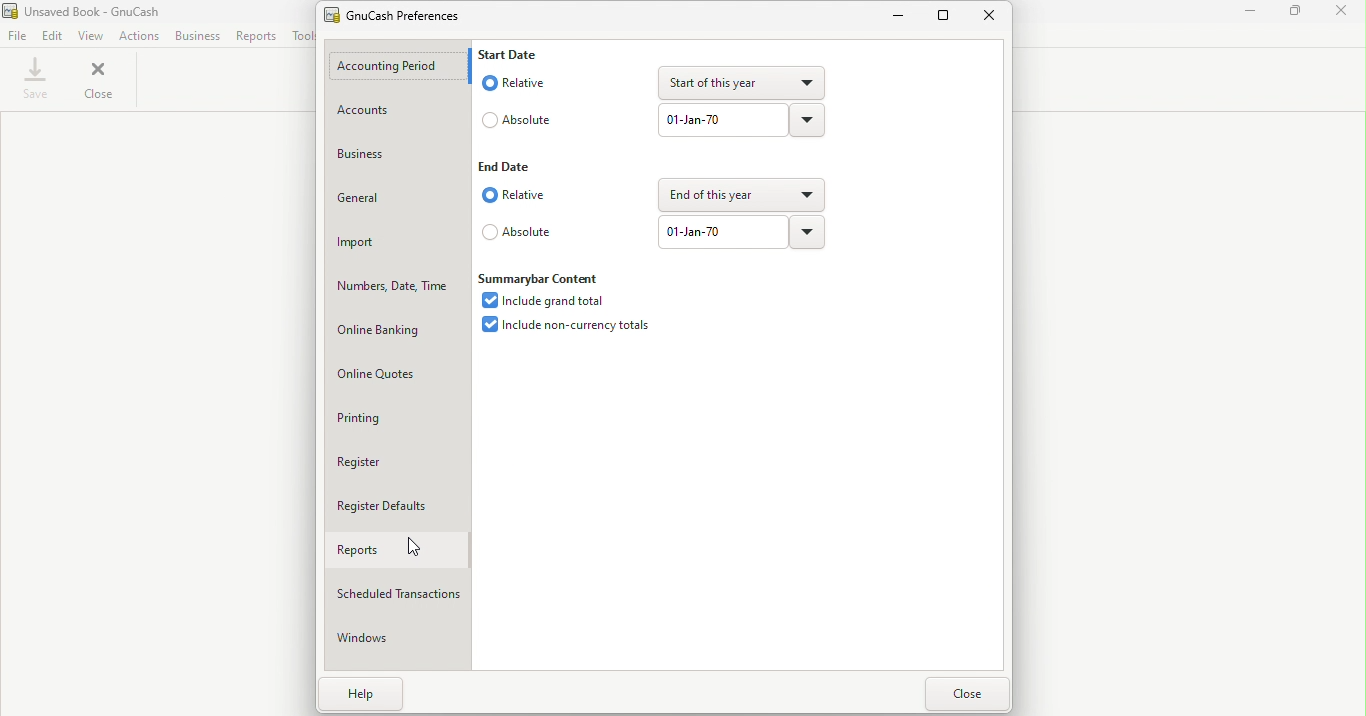 The height and width of the screenshot is (716, 1366). I want to click on View, so click(93, 36).